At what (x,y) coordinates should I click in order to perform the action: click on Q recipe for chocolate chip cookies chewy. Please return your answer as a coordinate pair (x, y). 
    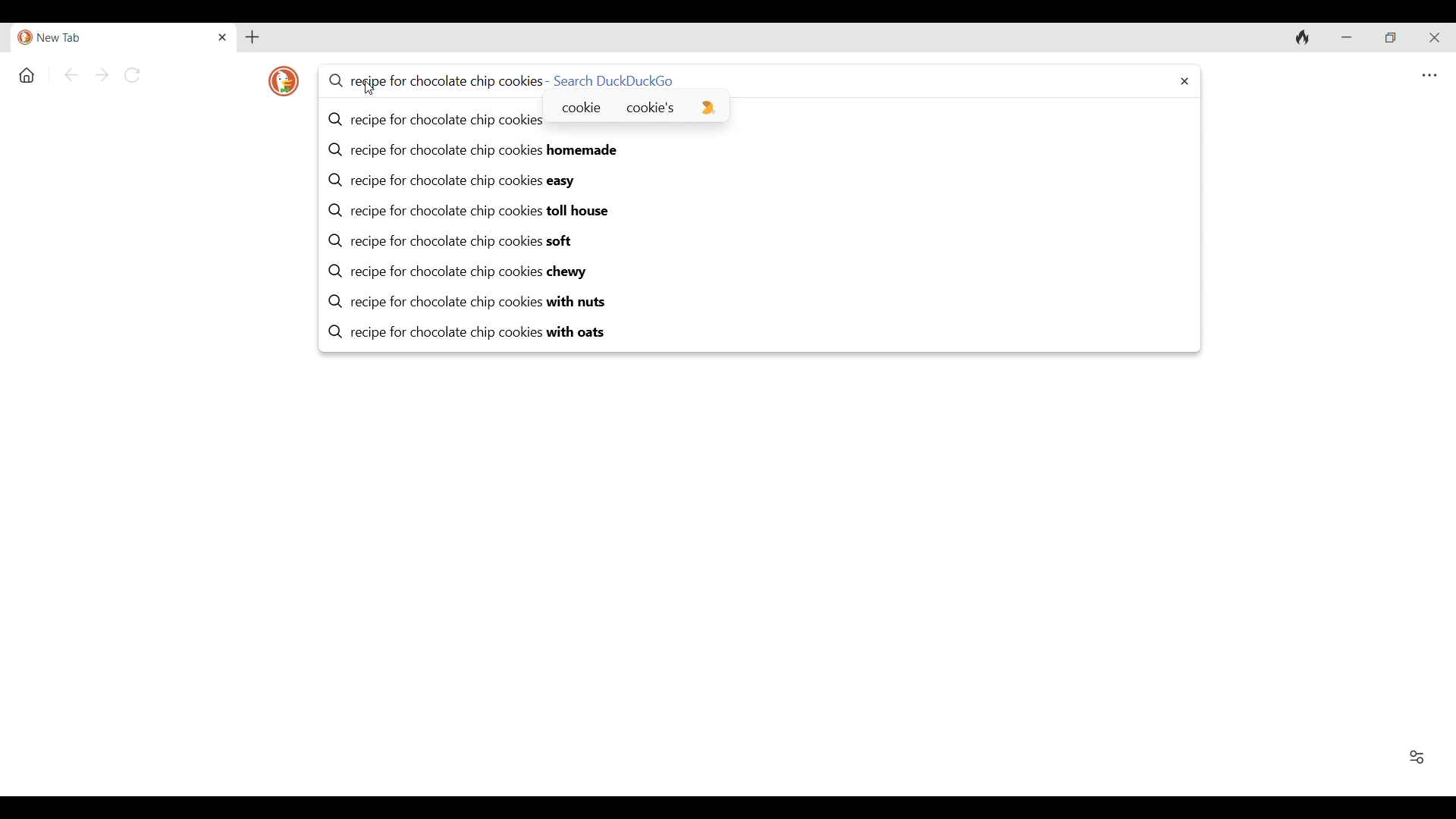
    Looking at the image, I should click on (761, 272).